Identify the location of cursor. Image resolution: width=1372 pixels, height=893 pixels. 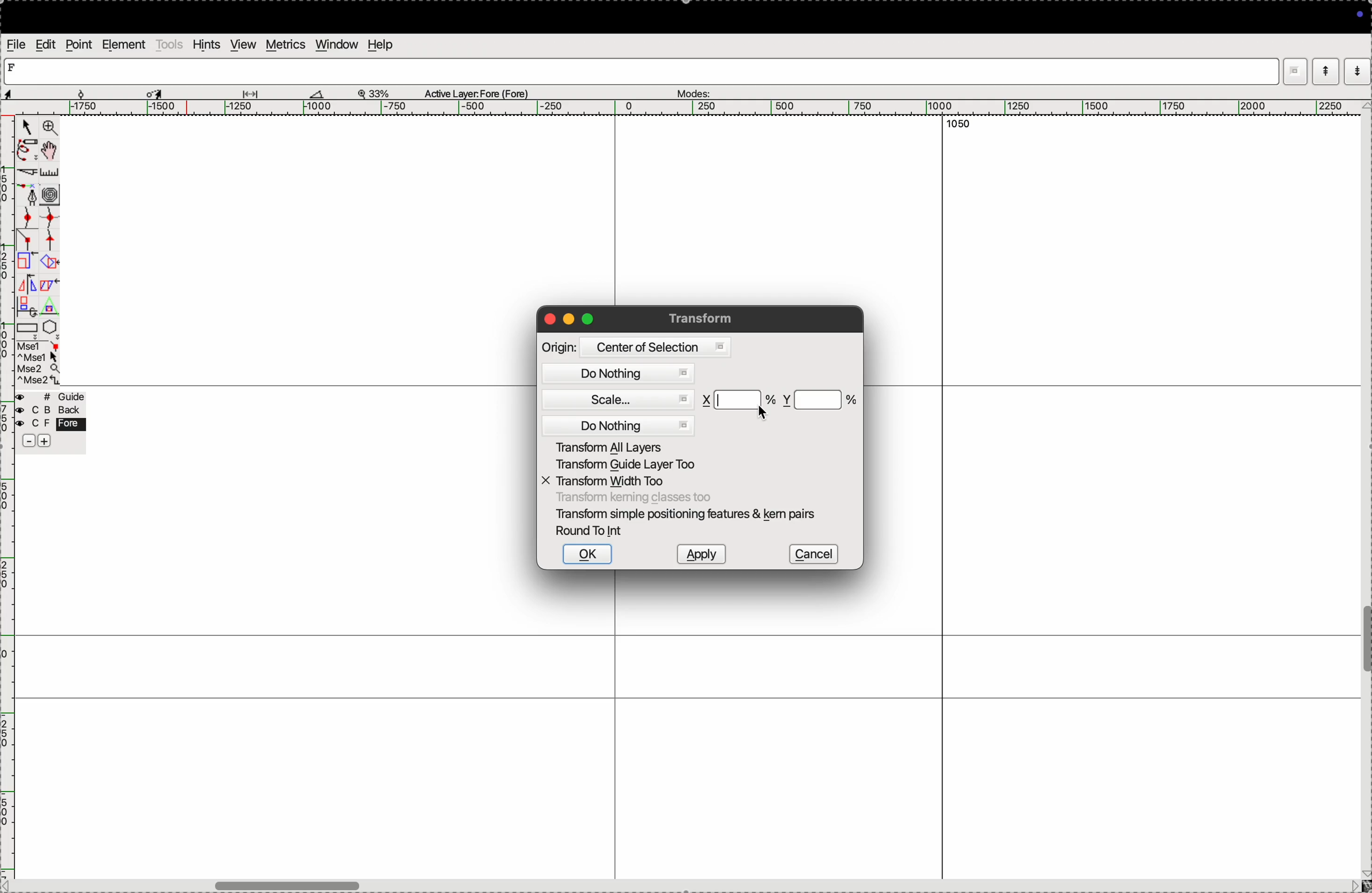
(25, 128).